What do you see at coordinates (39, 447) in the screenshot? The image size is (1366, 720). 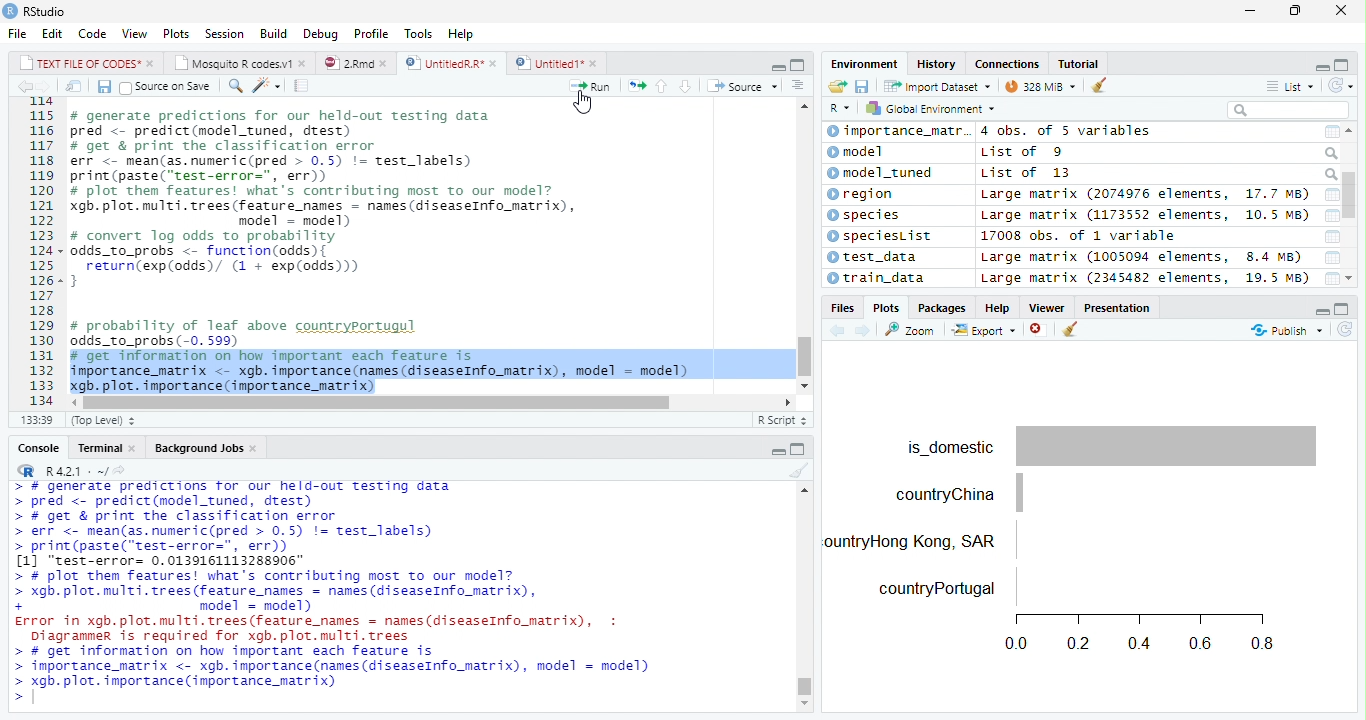 I see `Console` at bounding box center [39, 447].